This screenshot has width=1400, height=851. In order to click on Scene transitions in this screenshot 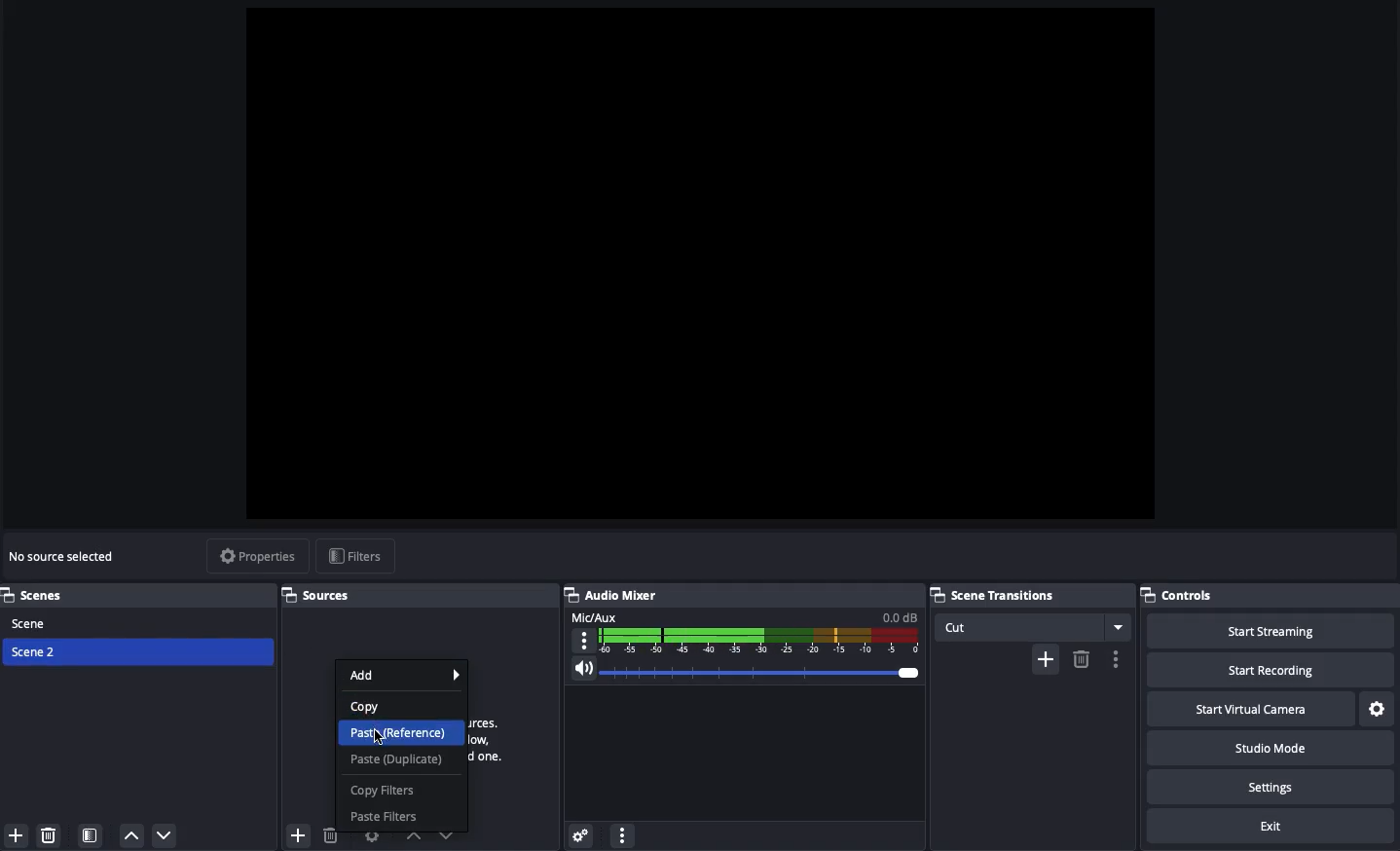, I will do `click(1026, 596)`.